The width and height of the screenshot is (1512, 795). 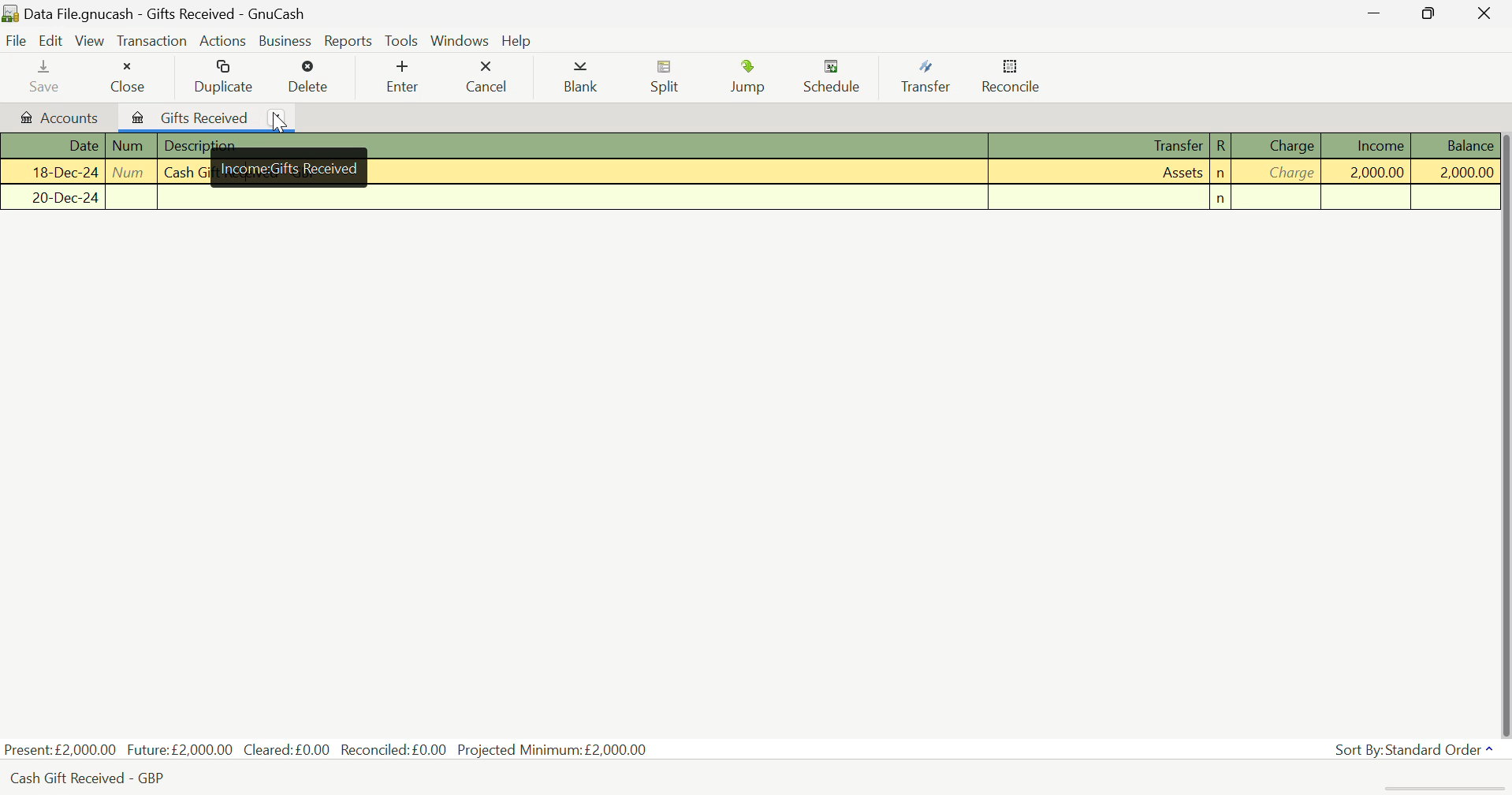 What do you see at coordinates (403, 40) in the screenshot?
I see `Tools` at bounding box center [403, 40].